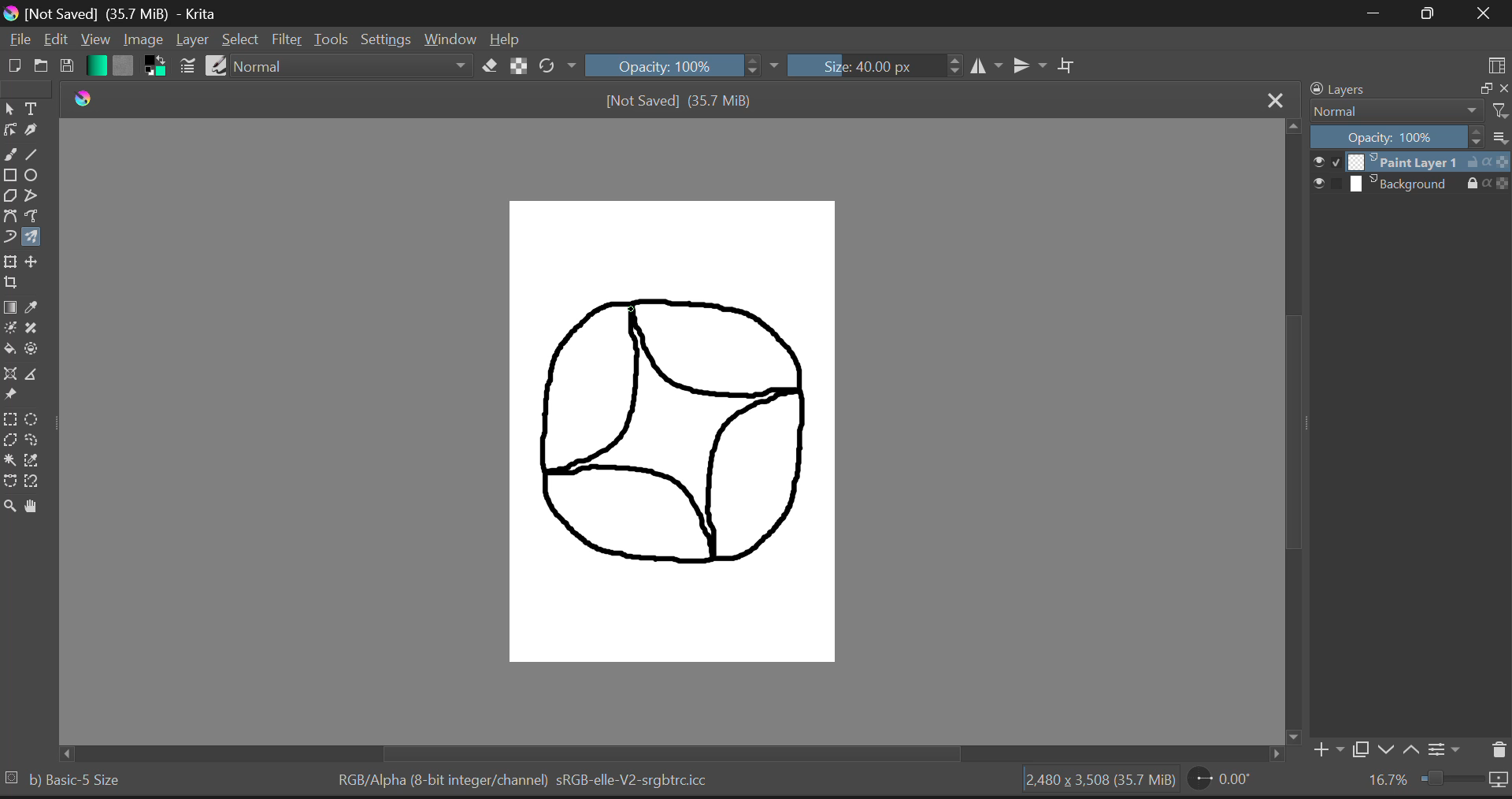  I want to click on list, so click(1499, 137).